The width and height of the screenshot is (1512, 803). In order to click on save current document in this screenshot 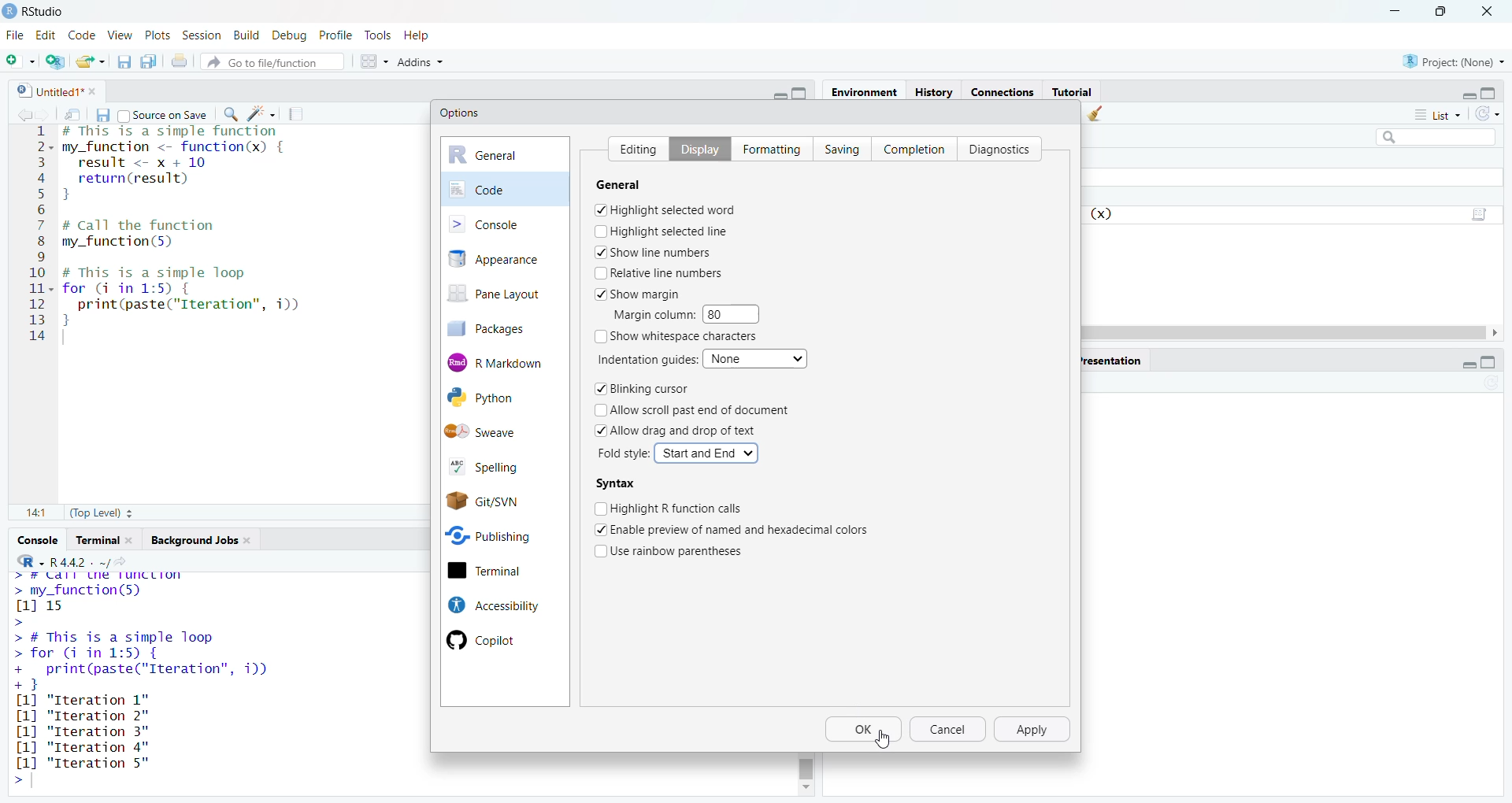, I will do `click(102, 113)`.